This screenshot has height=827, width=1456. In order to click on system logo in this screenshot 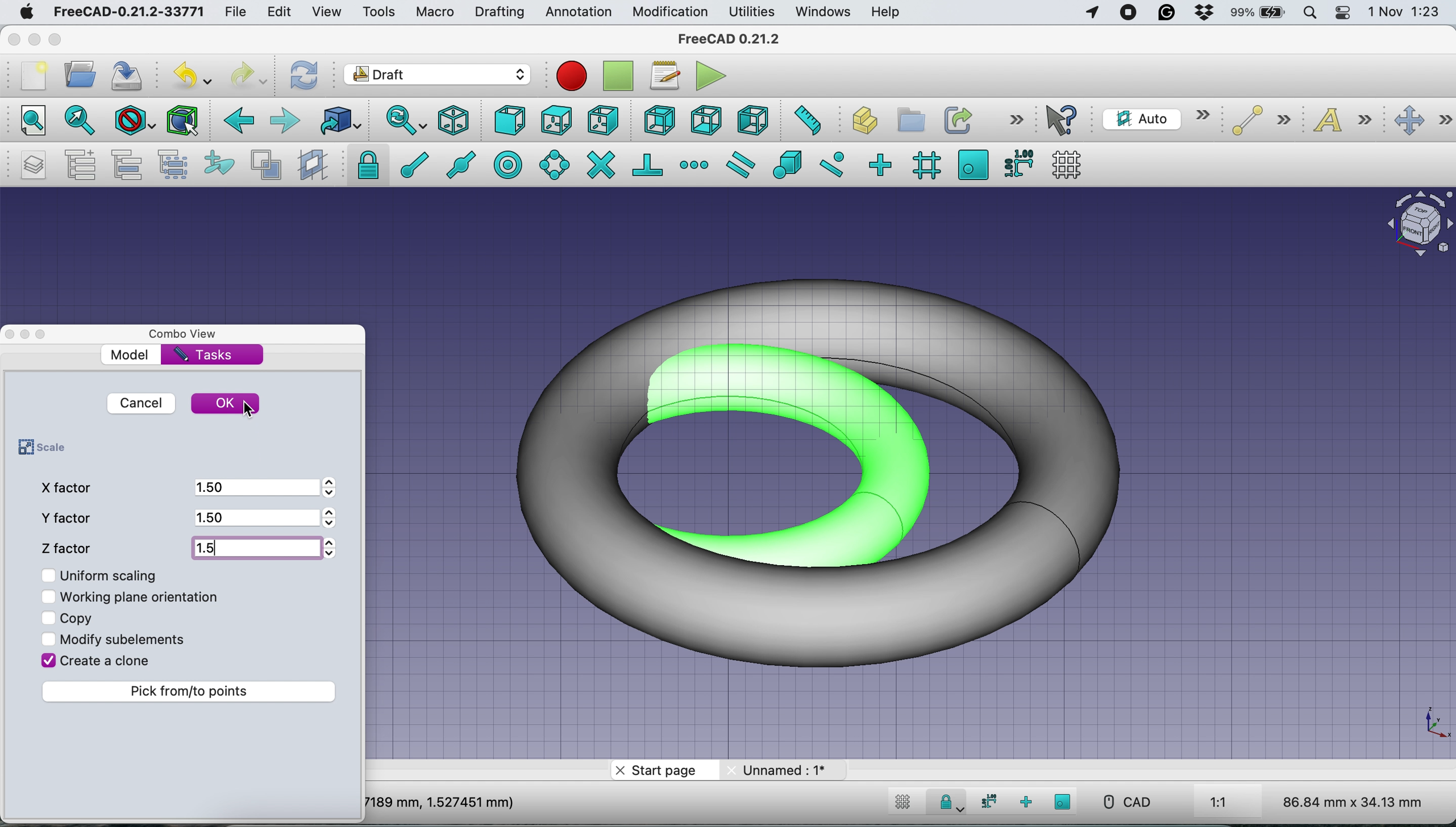, I will do `click(24, 14)`.